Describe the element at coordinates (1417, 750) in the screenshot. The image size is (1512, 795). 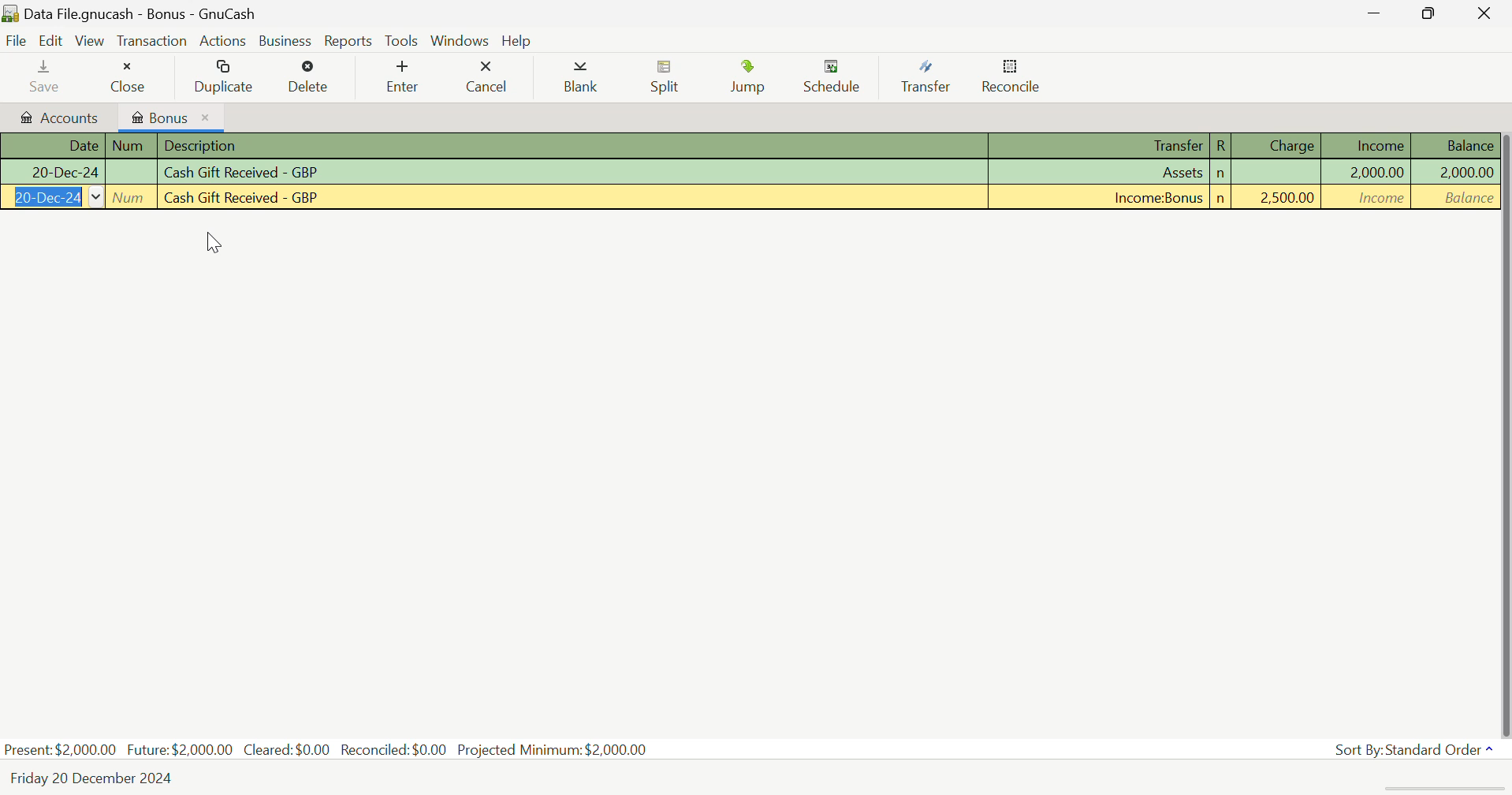
I see `Sort By: Standard Order` at that location.